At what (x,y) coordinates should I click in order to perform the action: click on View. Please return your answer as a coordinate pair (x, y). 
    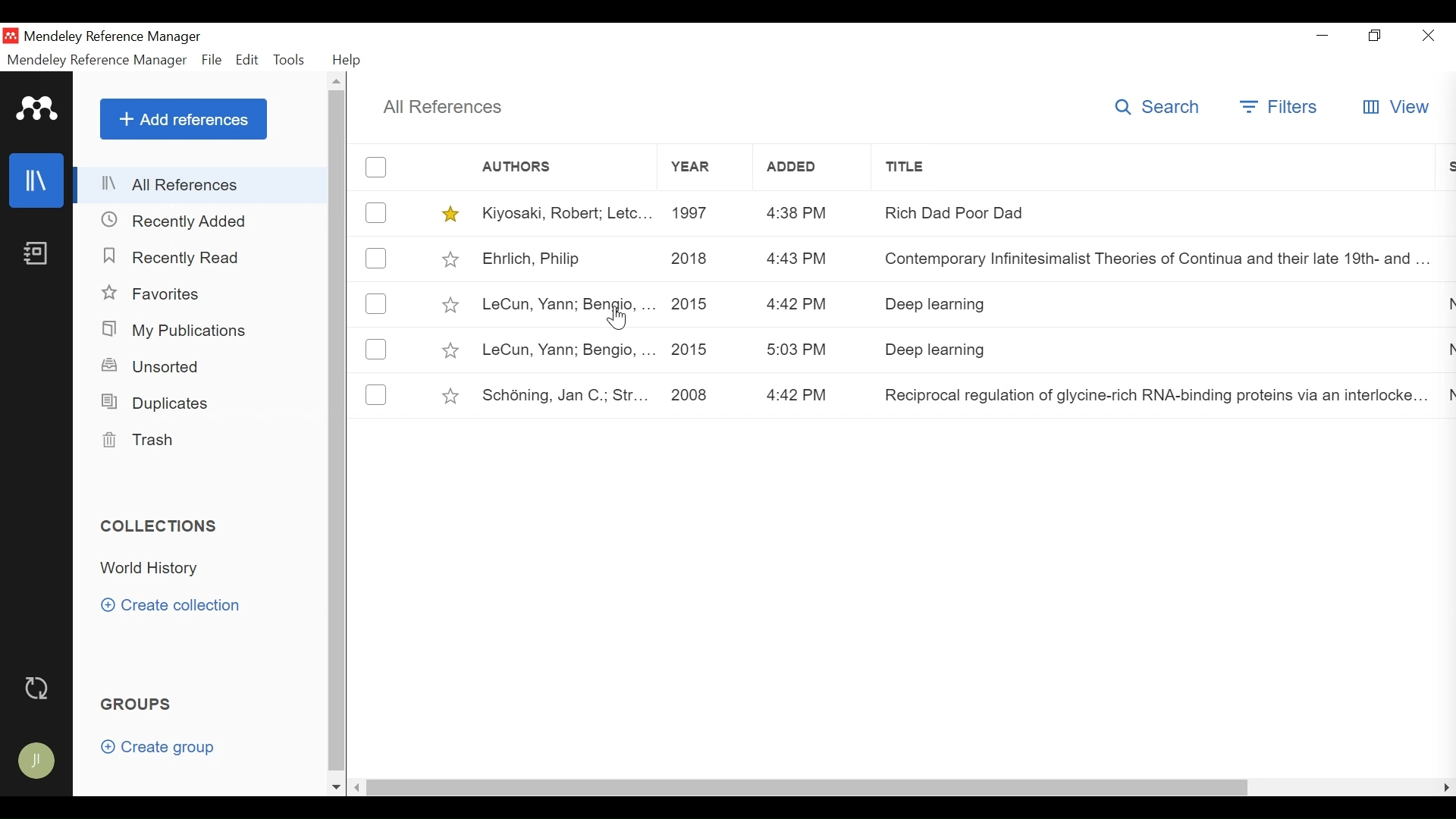
    Looking at the image, I should click on (1398, 105).